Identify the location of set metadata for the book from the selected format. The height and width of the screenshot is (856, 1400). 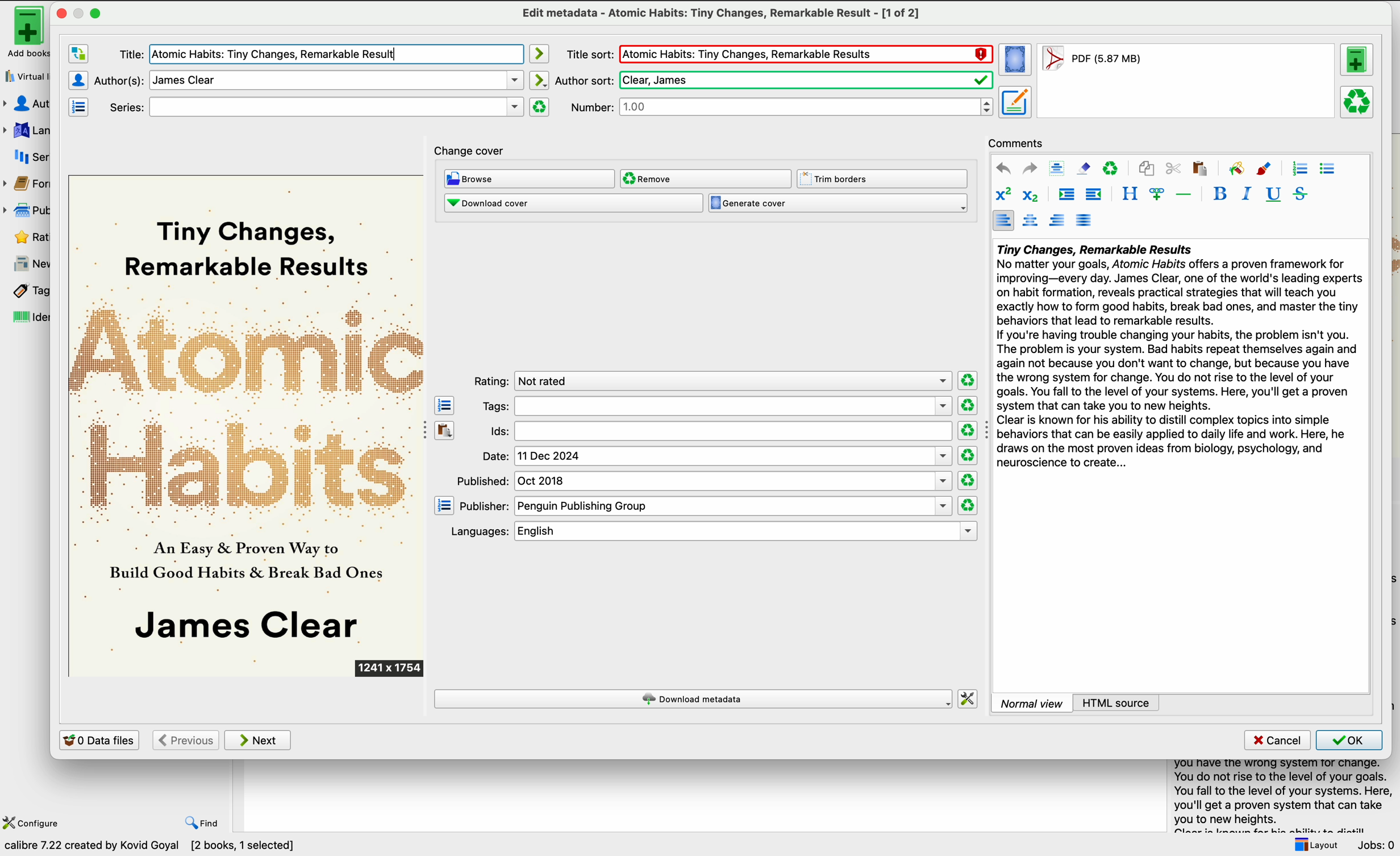
(1015, 103).